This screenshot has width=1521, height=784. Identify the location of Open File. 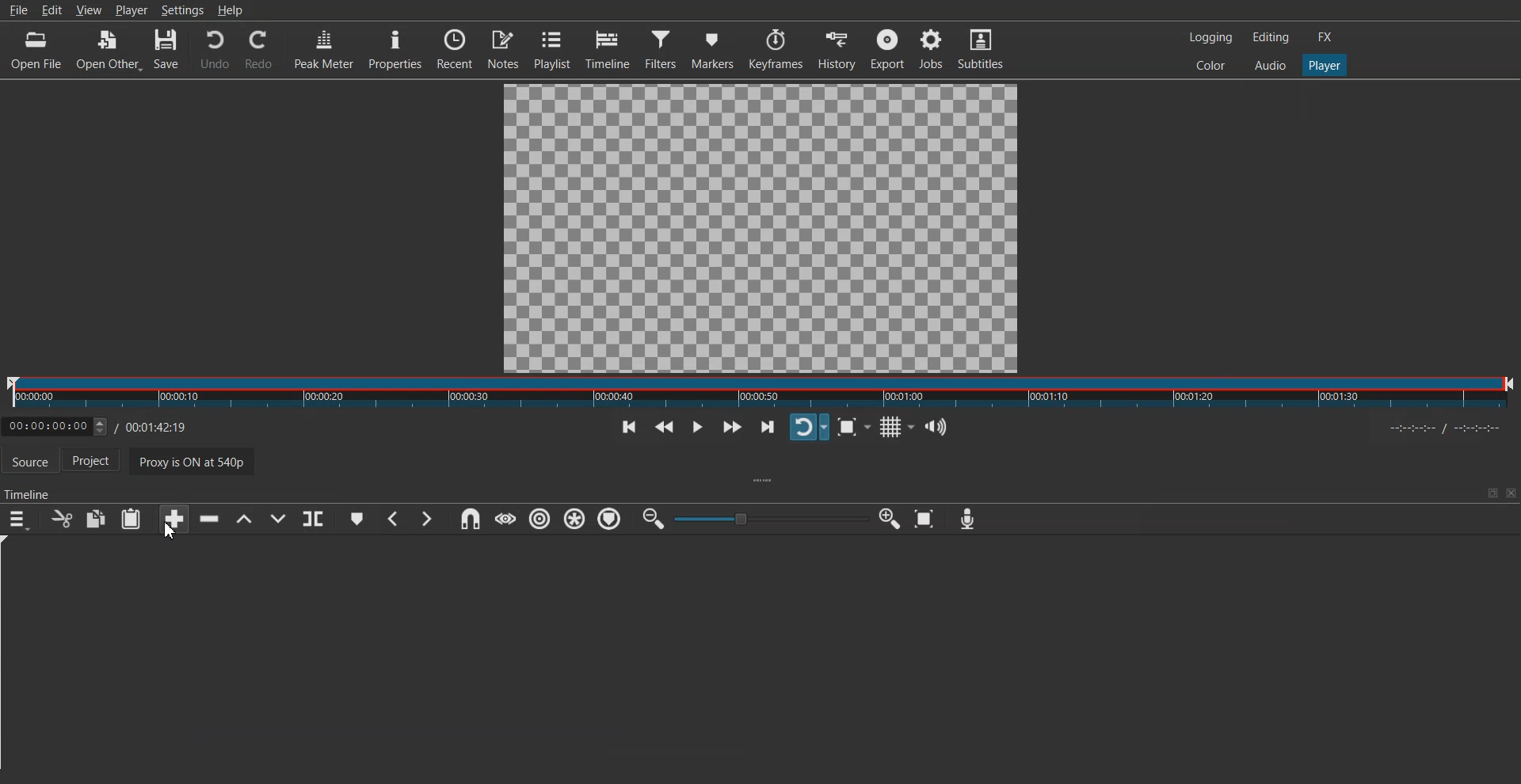
(38, 50).